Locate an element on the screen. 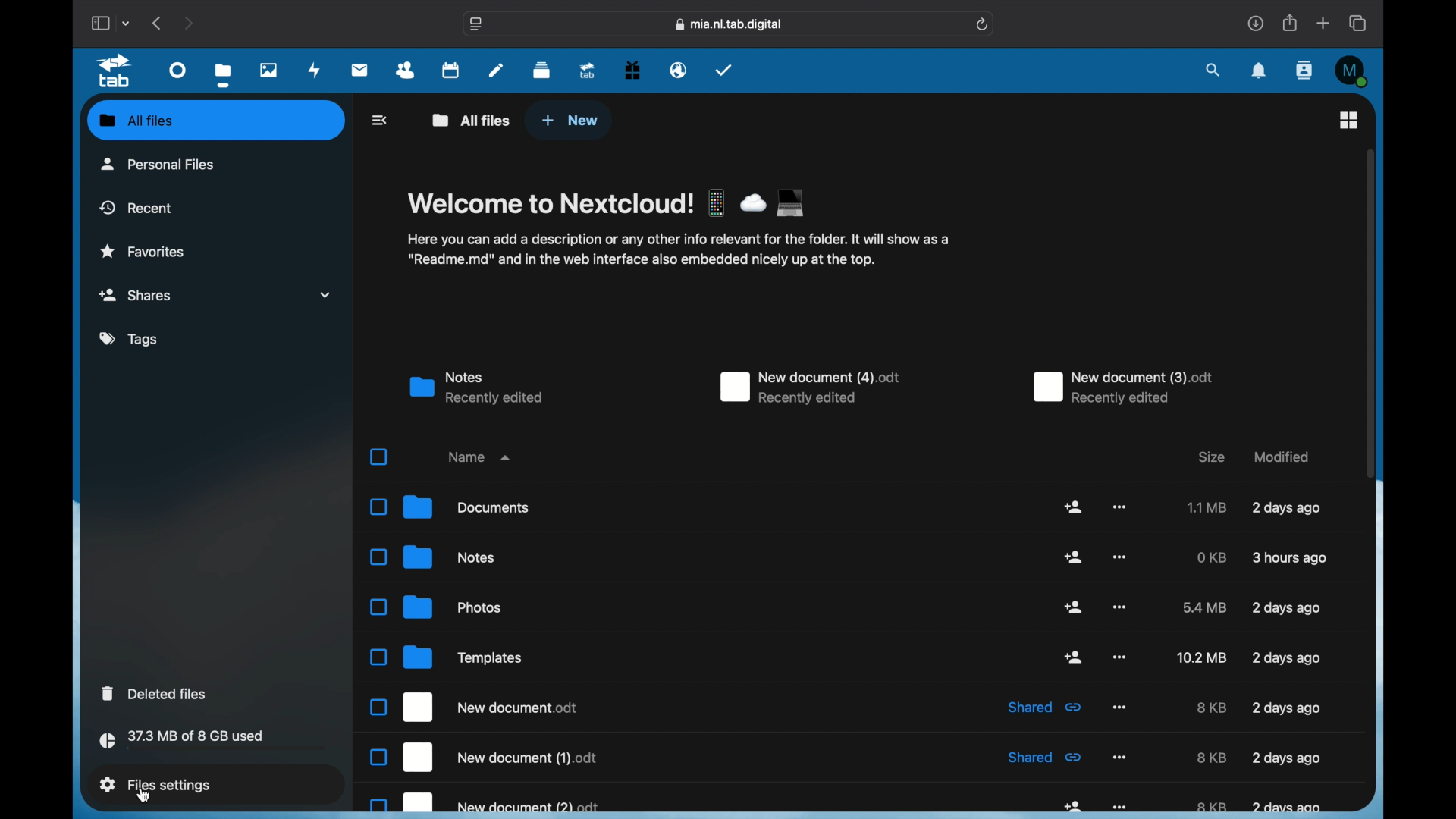 The image size is (1456, 819). more options is located at coordinates (1121, 807).